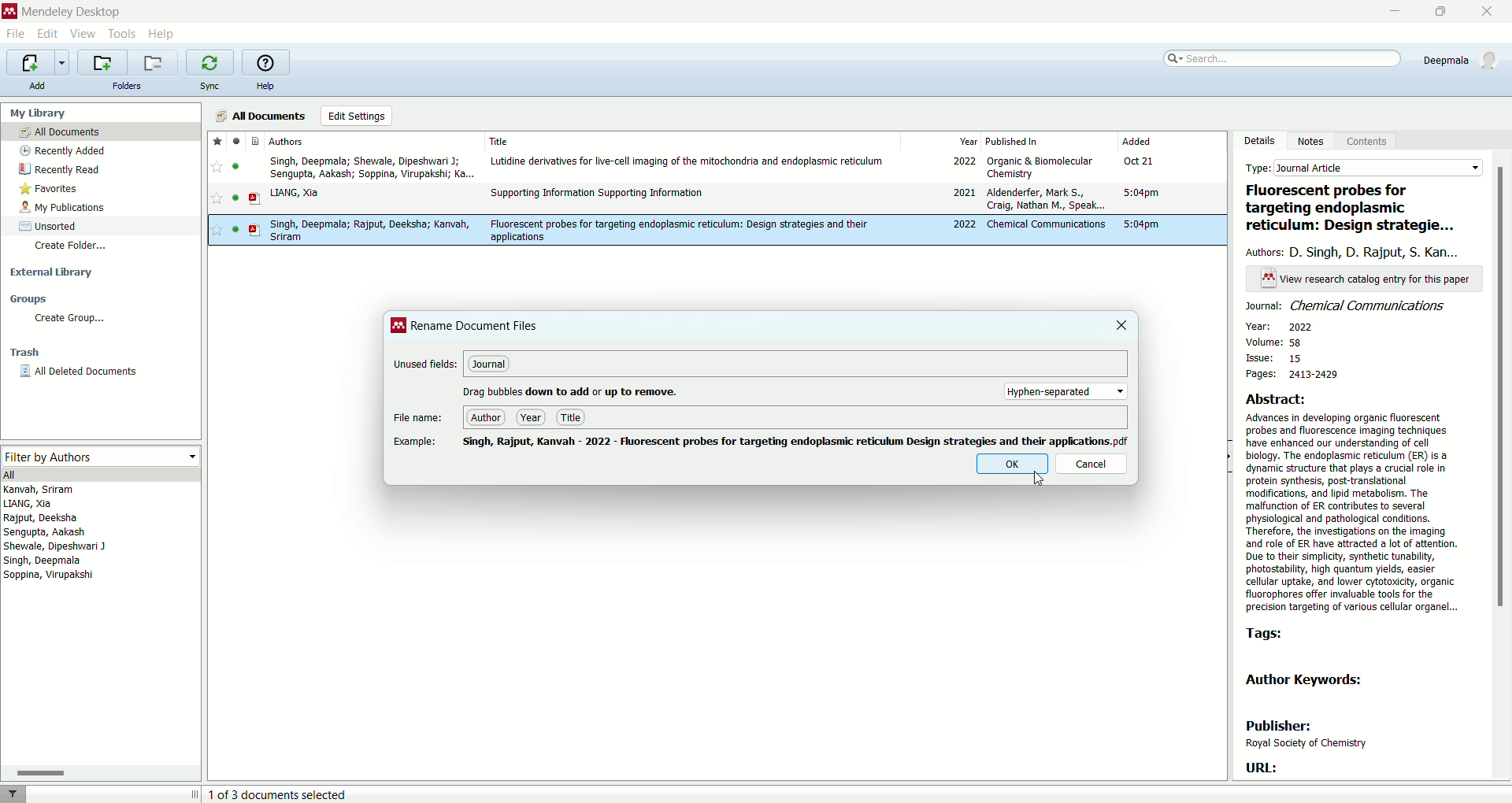 The width and height of the screenshot is (1512, 803). I want to click on ile name, so click(417, 419).